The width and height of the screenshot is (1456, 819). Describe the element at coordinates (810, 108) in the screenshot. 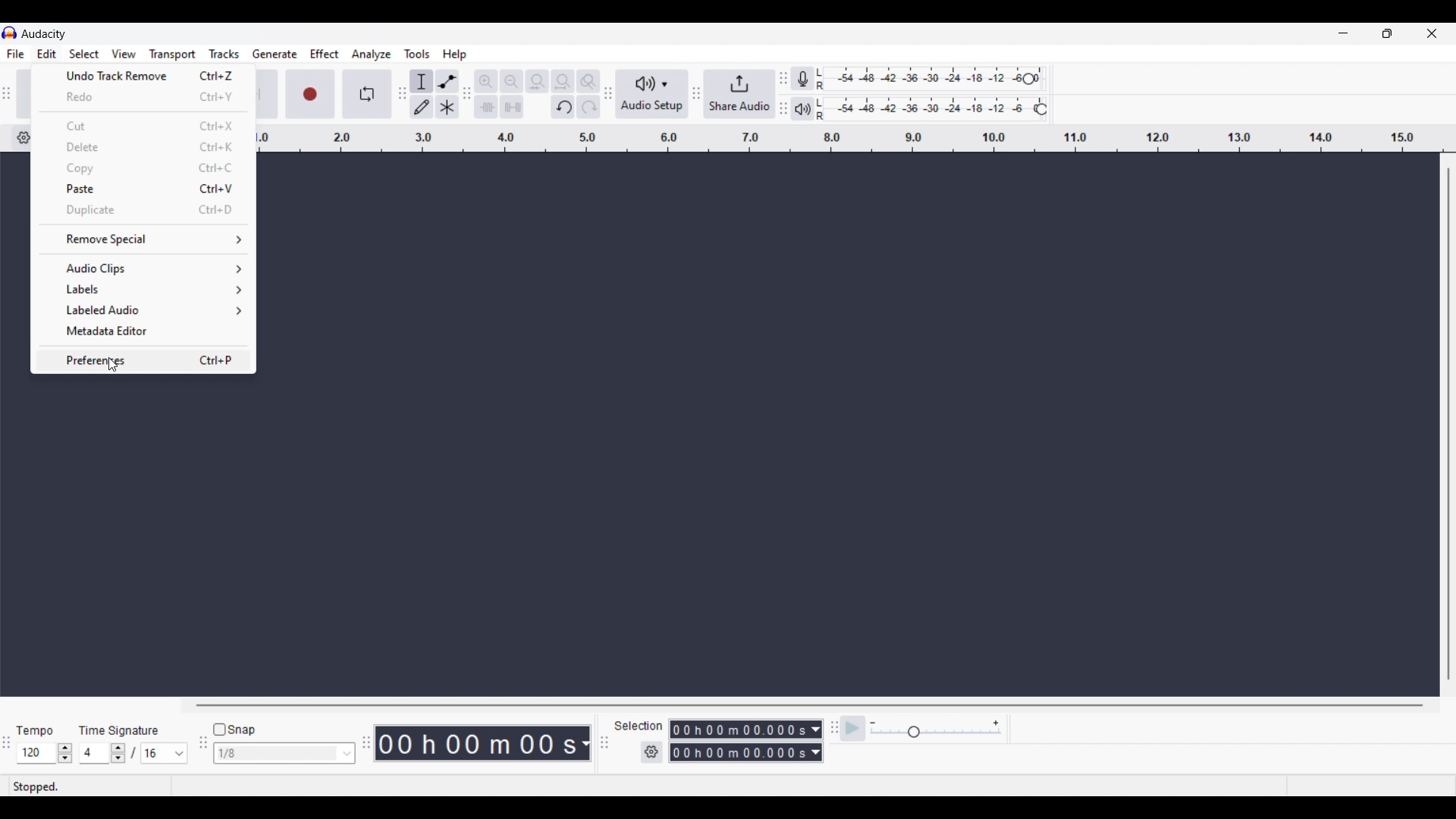

I see `Playback meter` at that location.